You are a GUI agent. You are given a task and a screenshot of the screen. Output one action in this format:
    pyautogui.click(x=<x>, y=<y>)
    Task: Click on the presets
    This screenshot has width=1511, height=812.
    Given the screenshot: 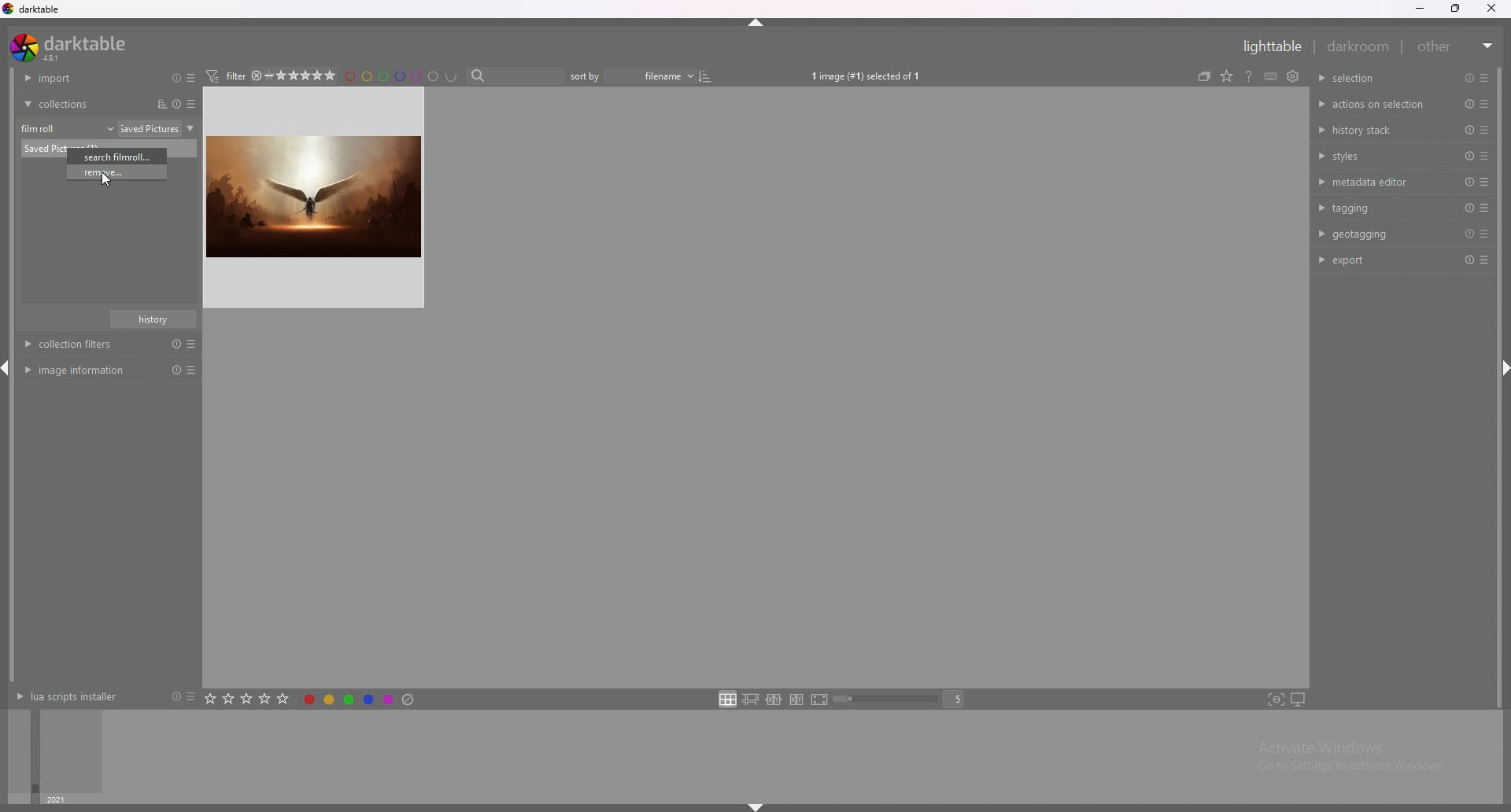 What is the action you would take?
    pyautogui.click(x=1484, y=234)
    